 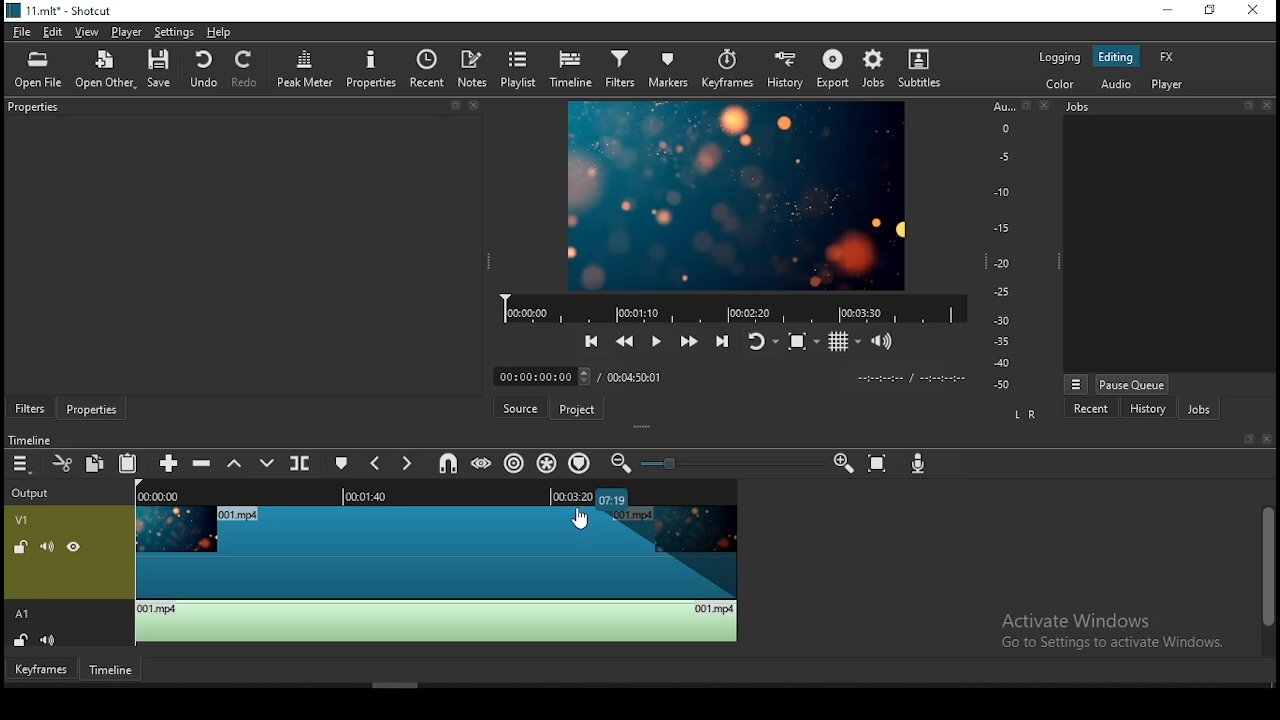 I want to click on create/edit marker, so click(x=341, y=463).